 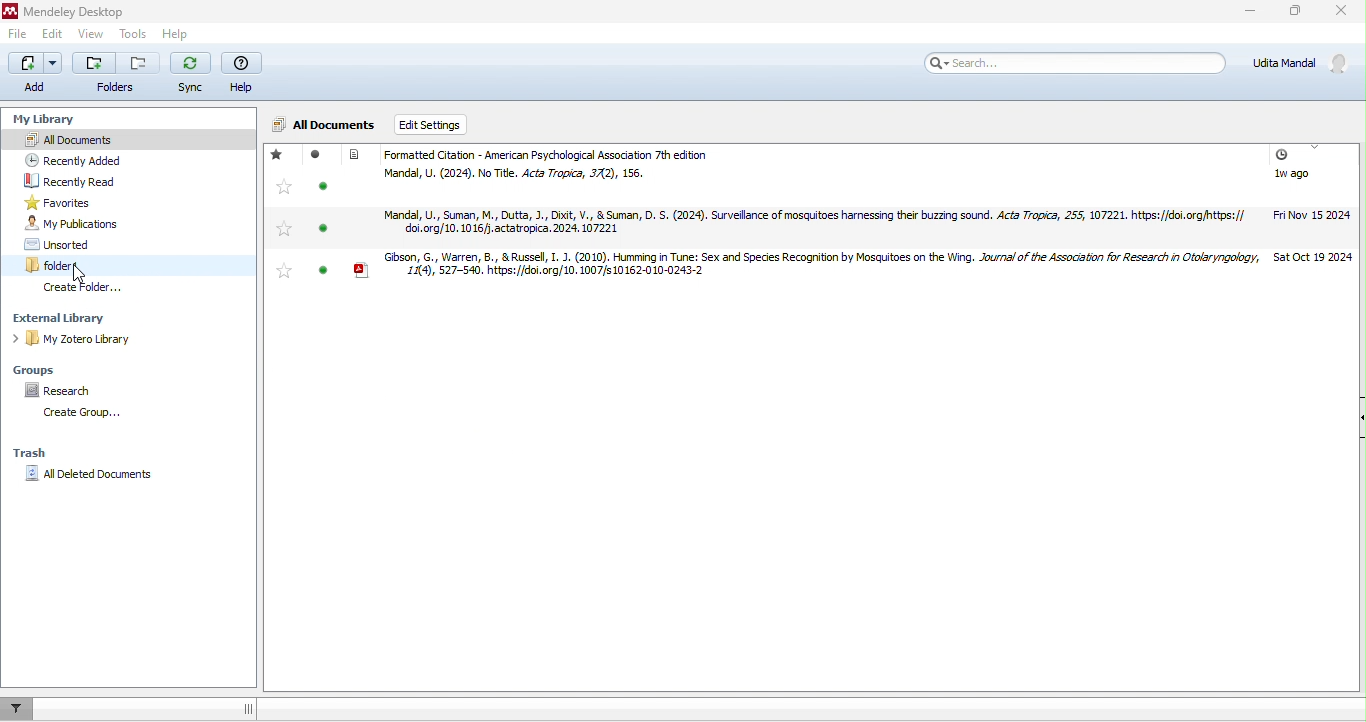 What do you see at coordinates (89, 180) in the screenshot?
I see `recently read` at bounding box center [89, 180].